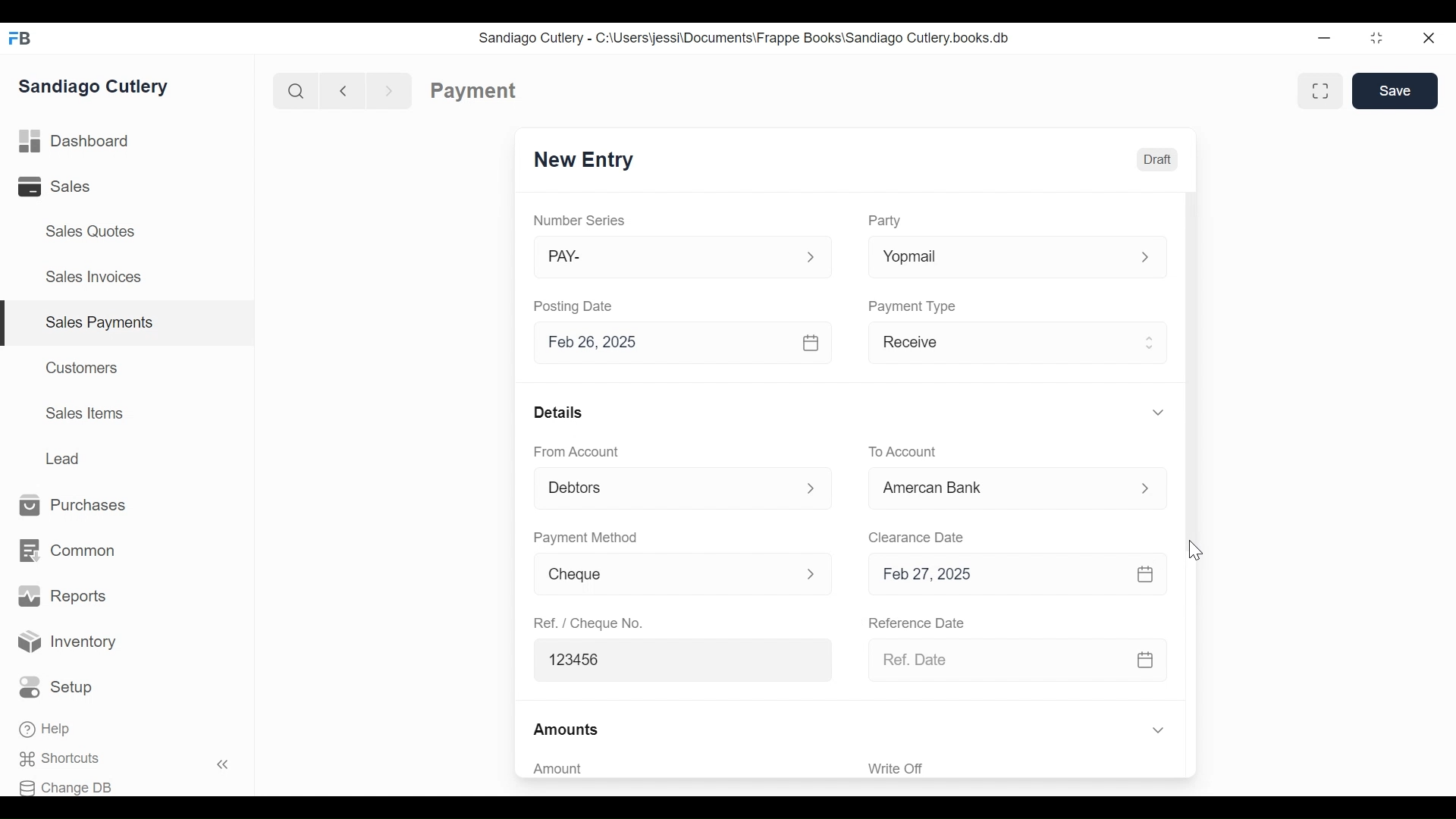 The image size is (1456, 819). What do you see at coordinates (1326, 88) in the screenshot?
I see `Toggle form and full width ` at bounding box center [1326, 88].